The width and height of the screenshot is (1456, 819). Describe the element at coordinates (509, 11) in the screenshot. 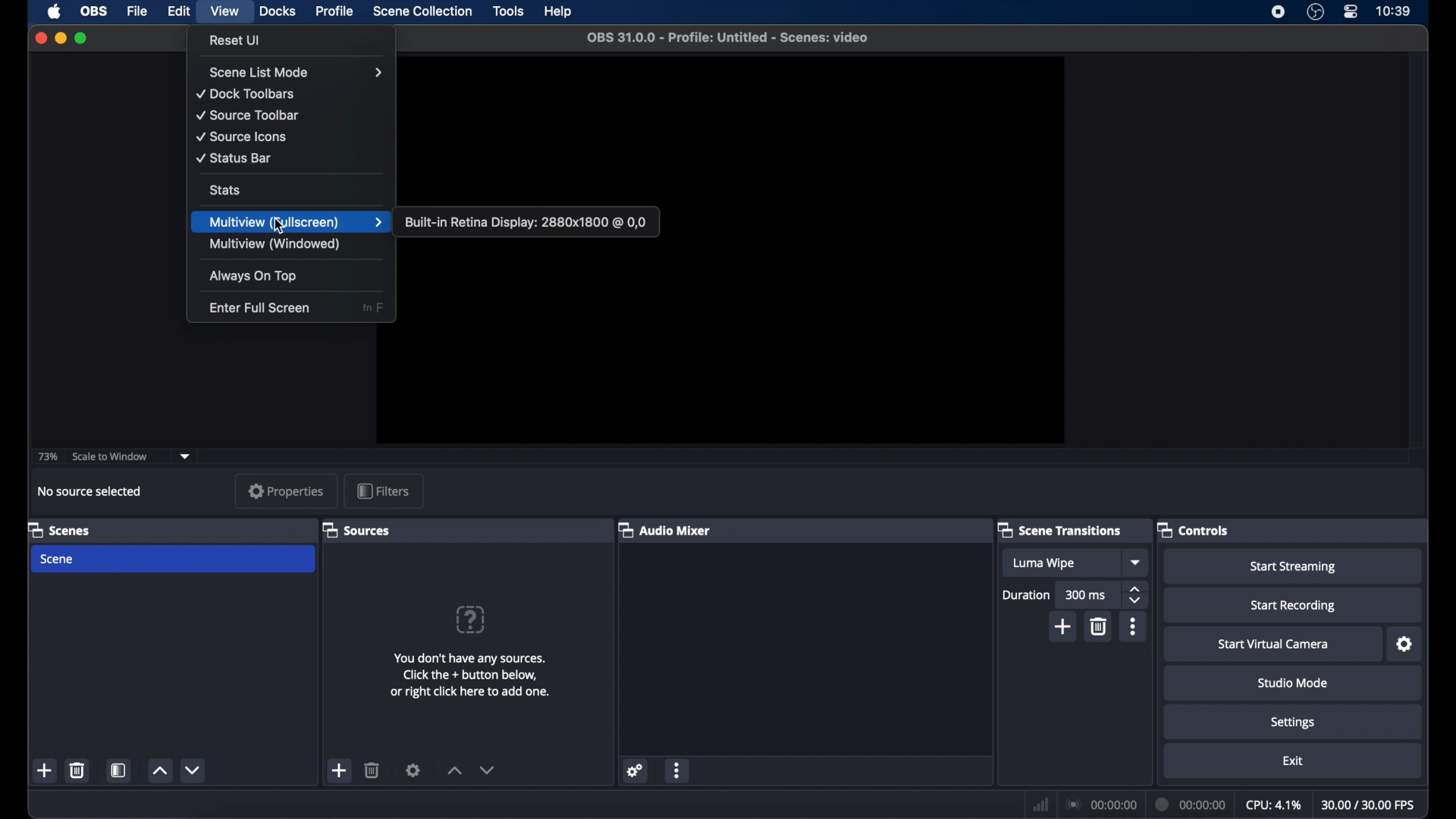

I see `tools` at that location.